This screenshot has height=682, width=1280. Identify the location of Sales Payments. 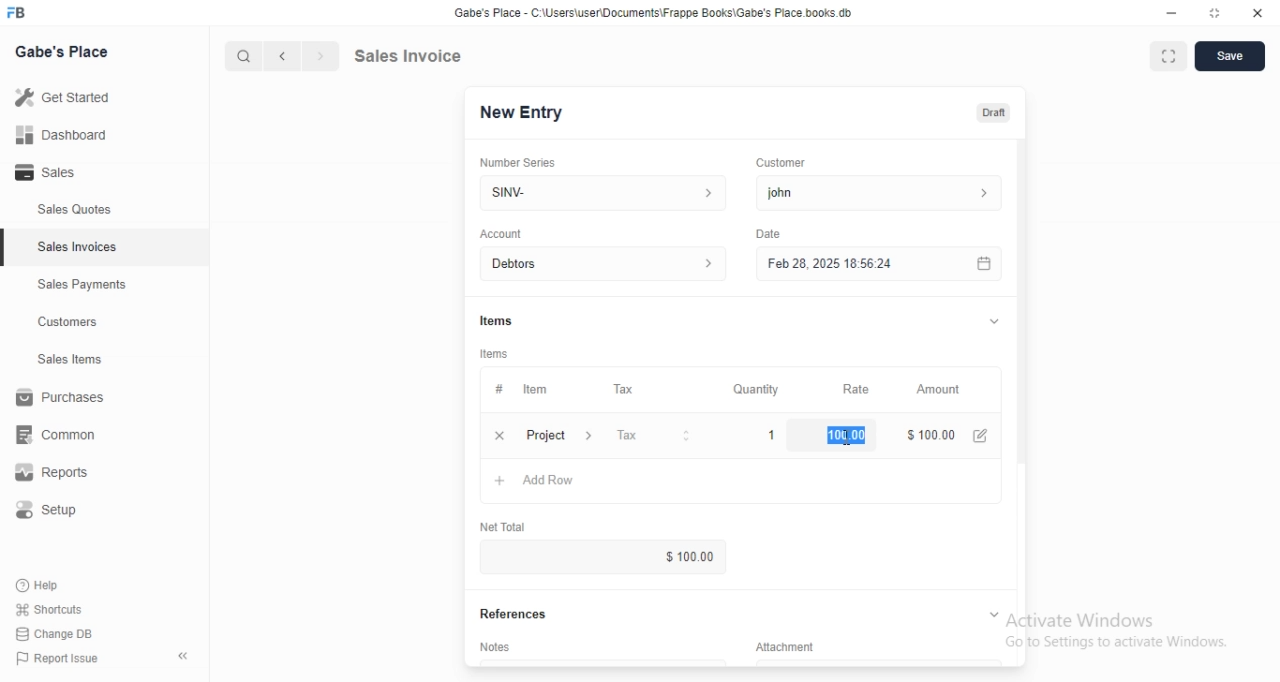
(77, 285).